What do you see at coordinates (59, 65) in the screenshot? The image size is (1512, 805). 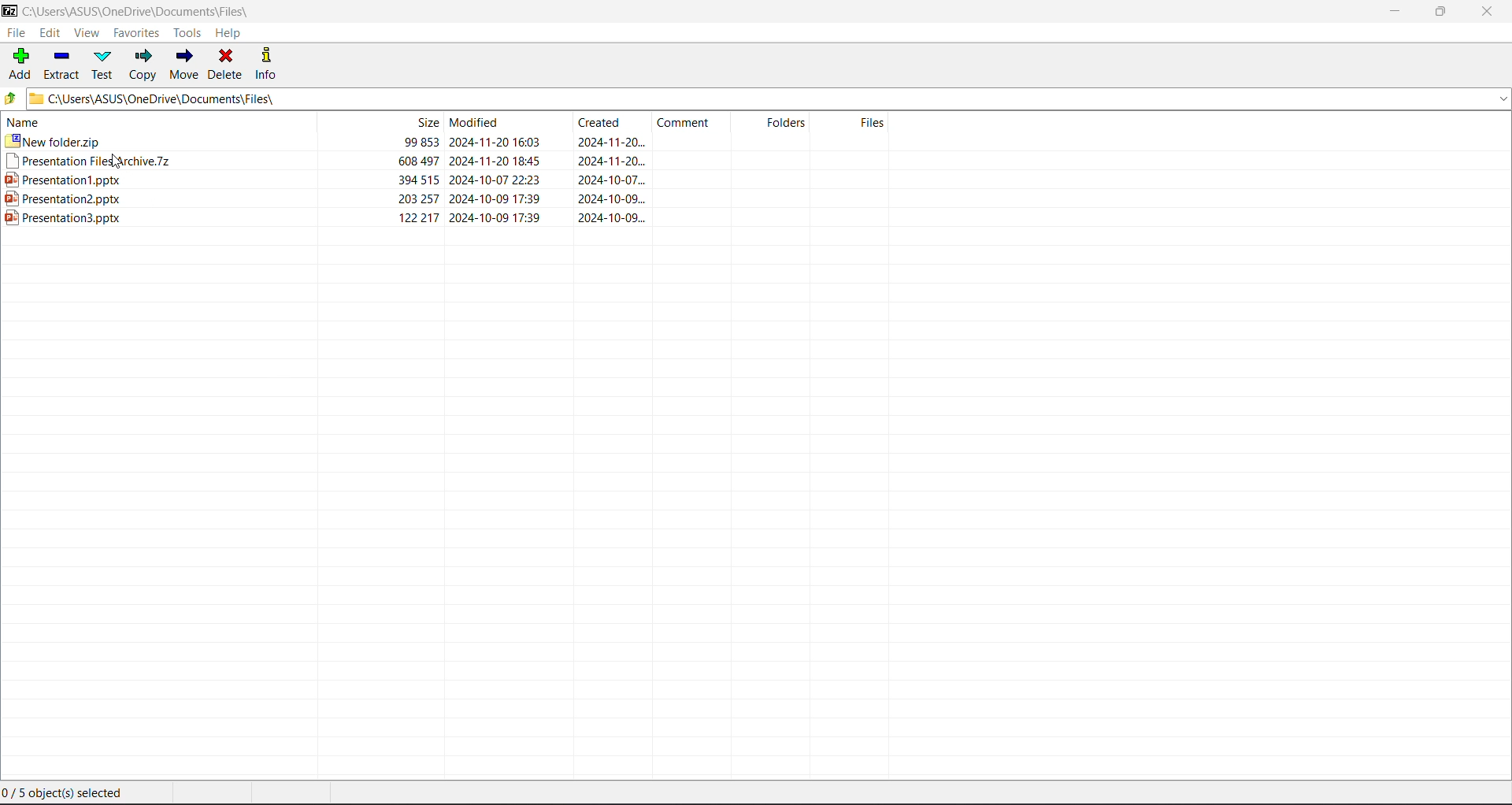 I see `Extract` at bounding box center [59, 65].